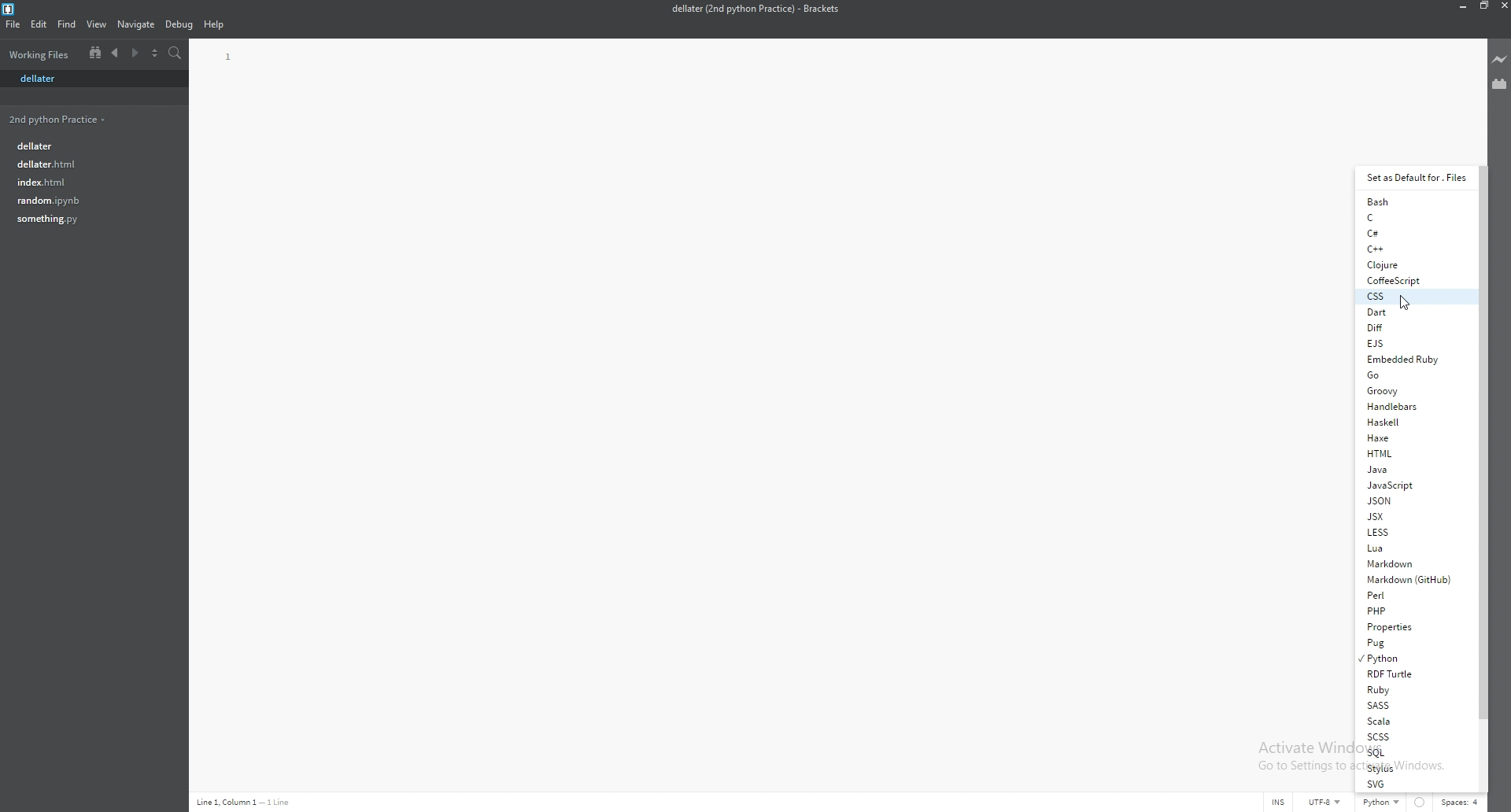  What do you see at coordinates (1421, 803) in the screenshot?
I see `linter` at bounding box center [1421, 803].